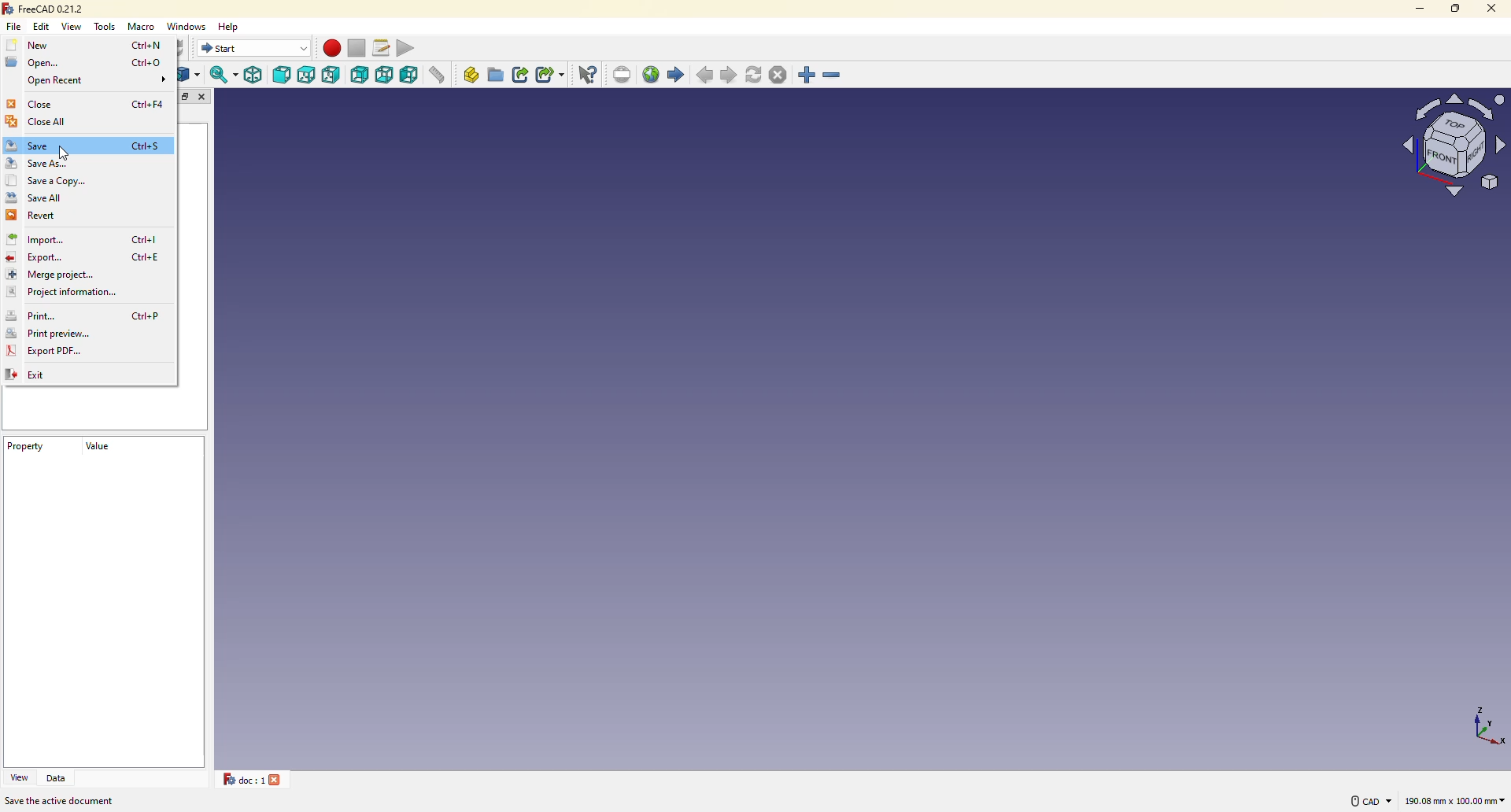  I want to click on expand, so click(185, 97).